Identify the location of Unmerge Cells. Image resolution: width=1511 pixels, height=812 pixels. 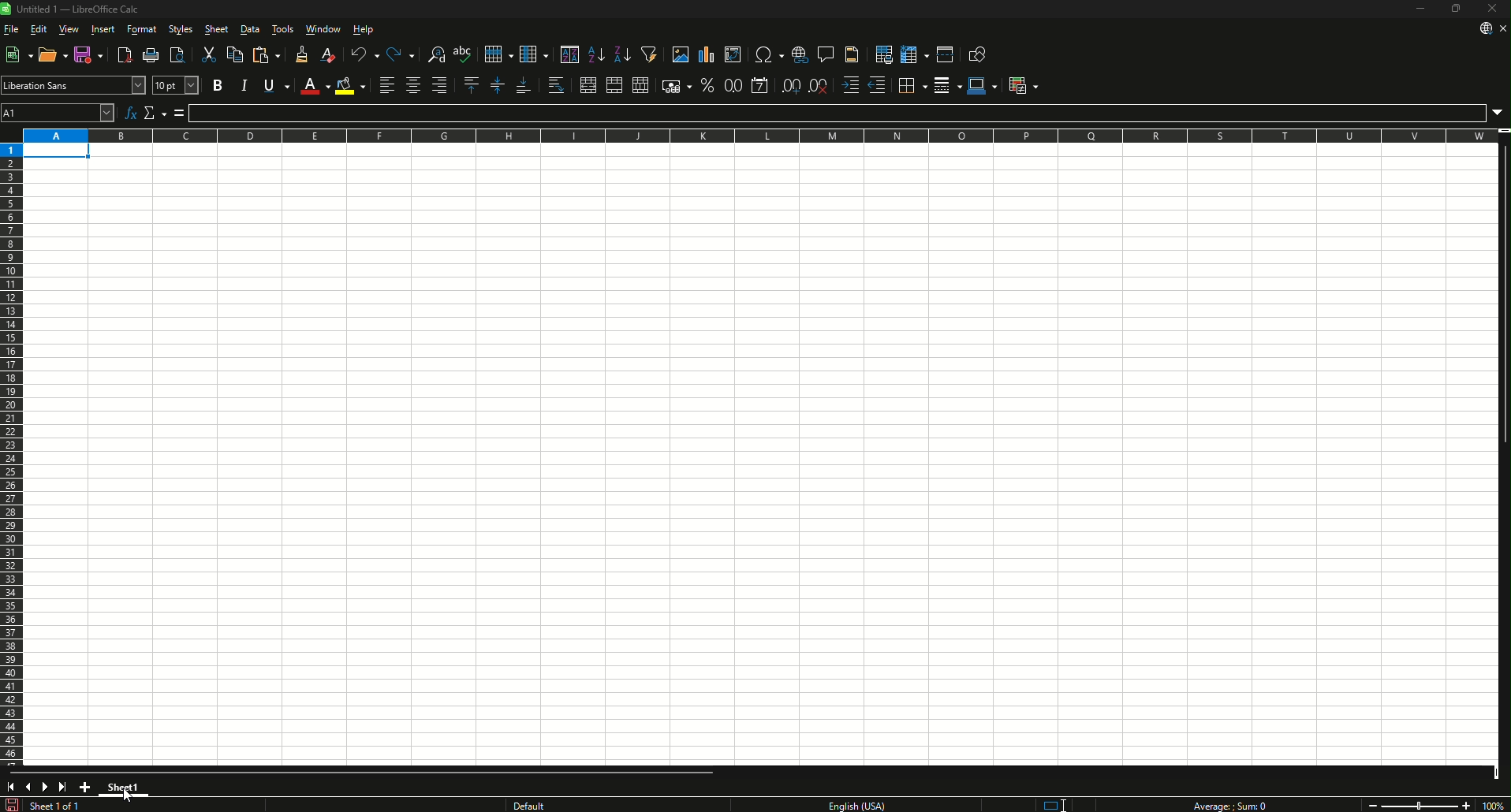
(640, 85).